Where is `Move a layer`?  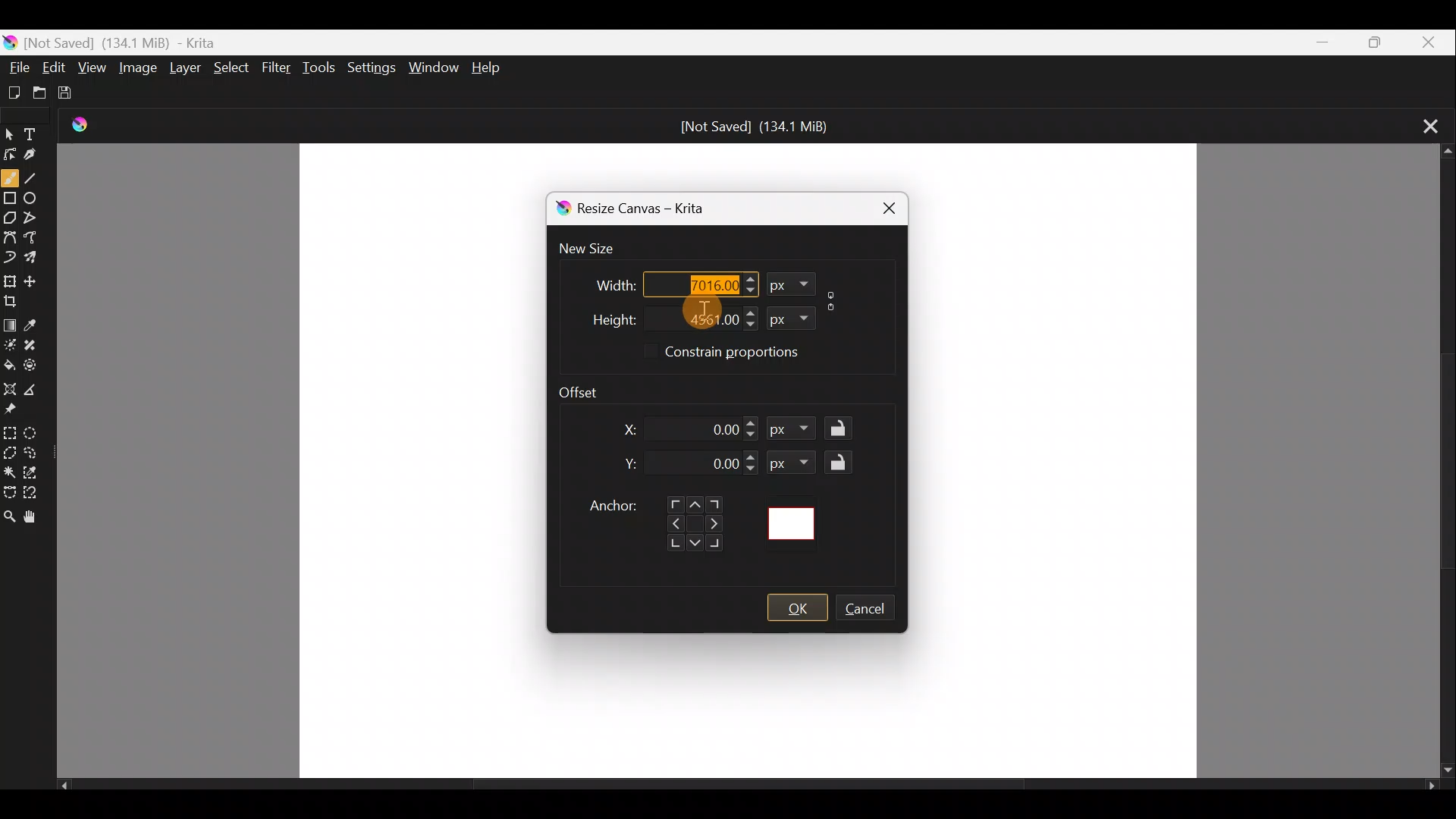
Move a layer is located at coordinates (36, 280).